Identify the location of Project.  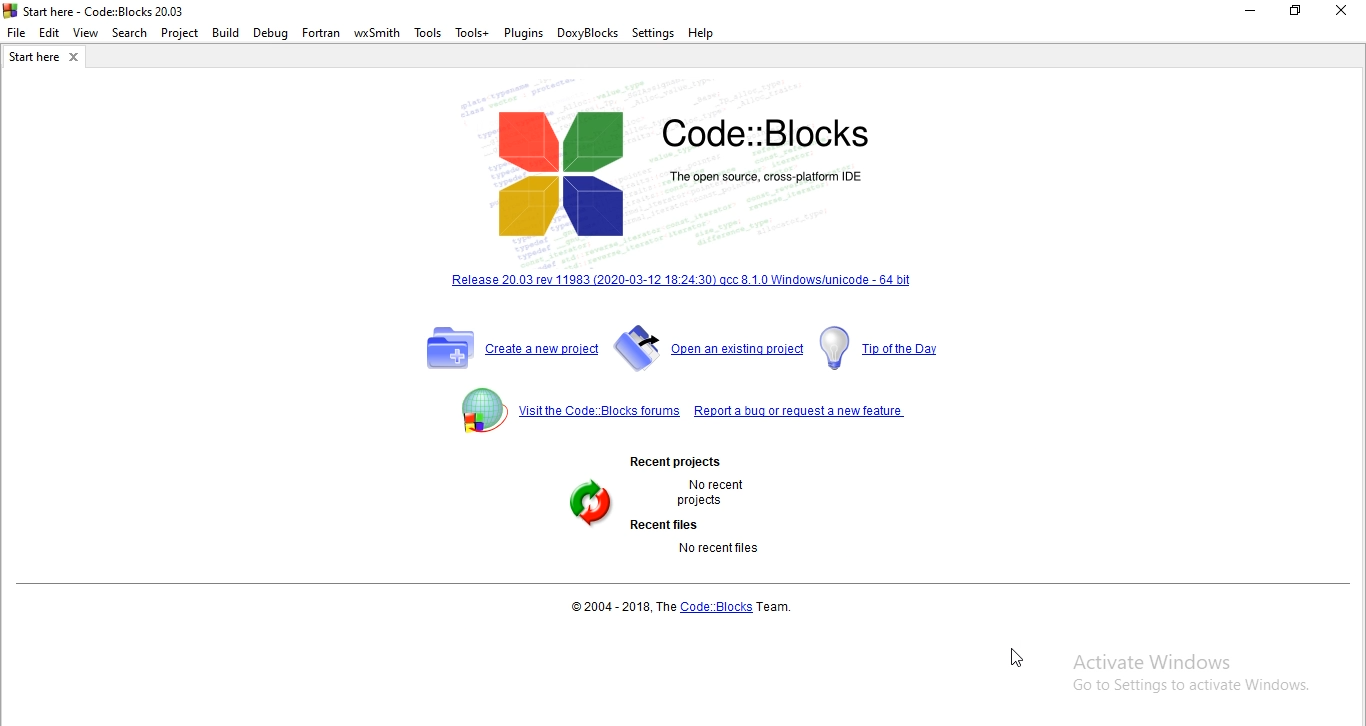
(180, 35).